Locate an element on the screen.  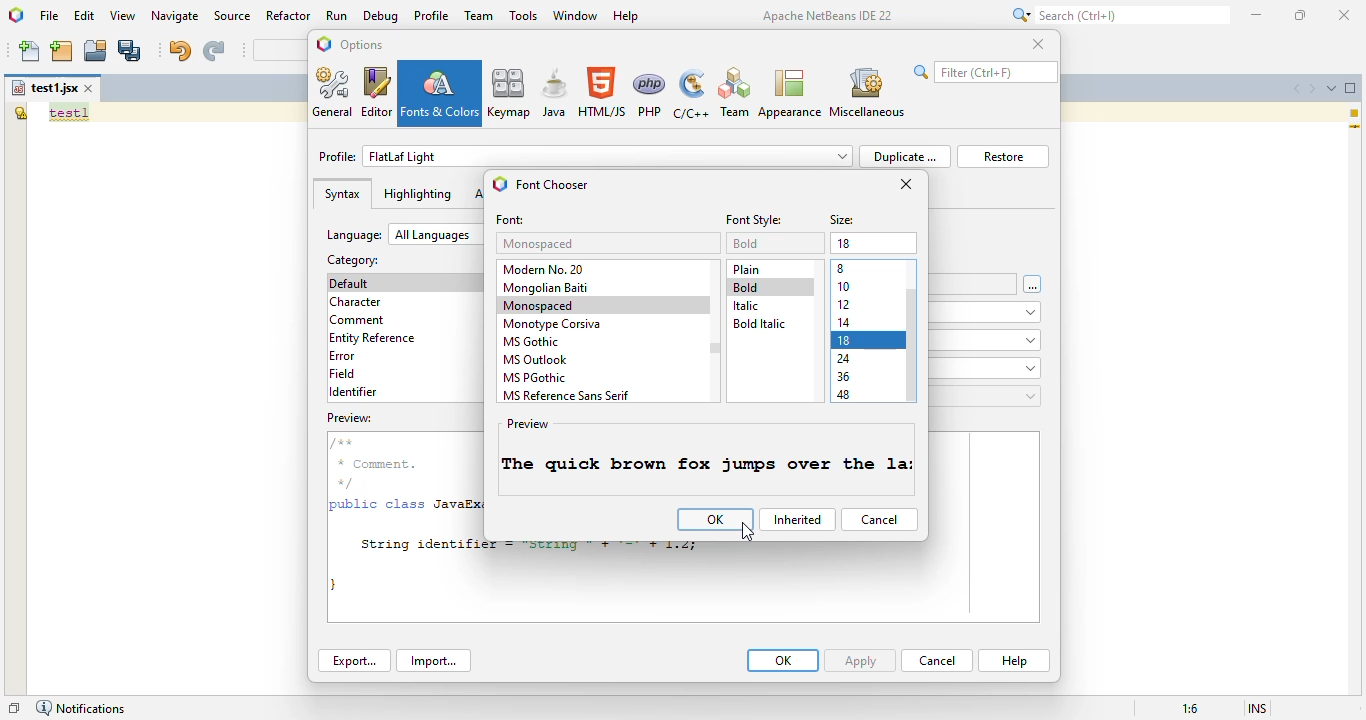
current line is located at coordinates (1355, 128).